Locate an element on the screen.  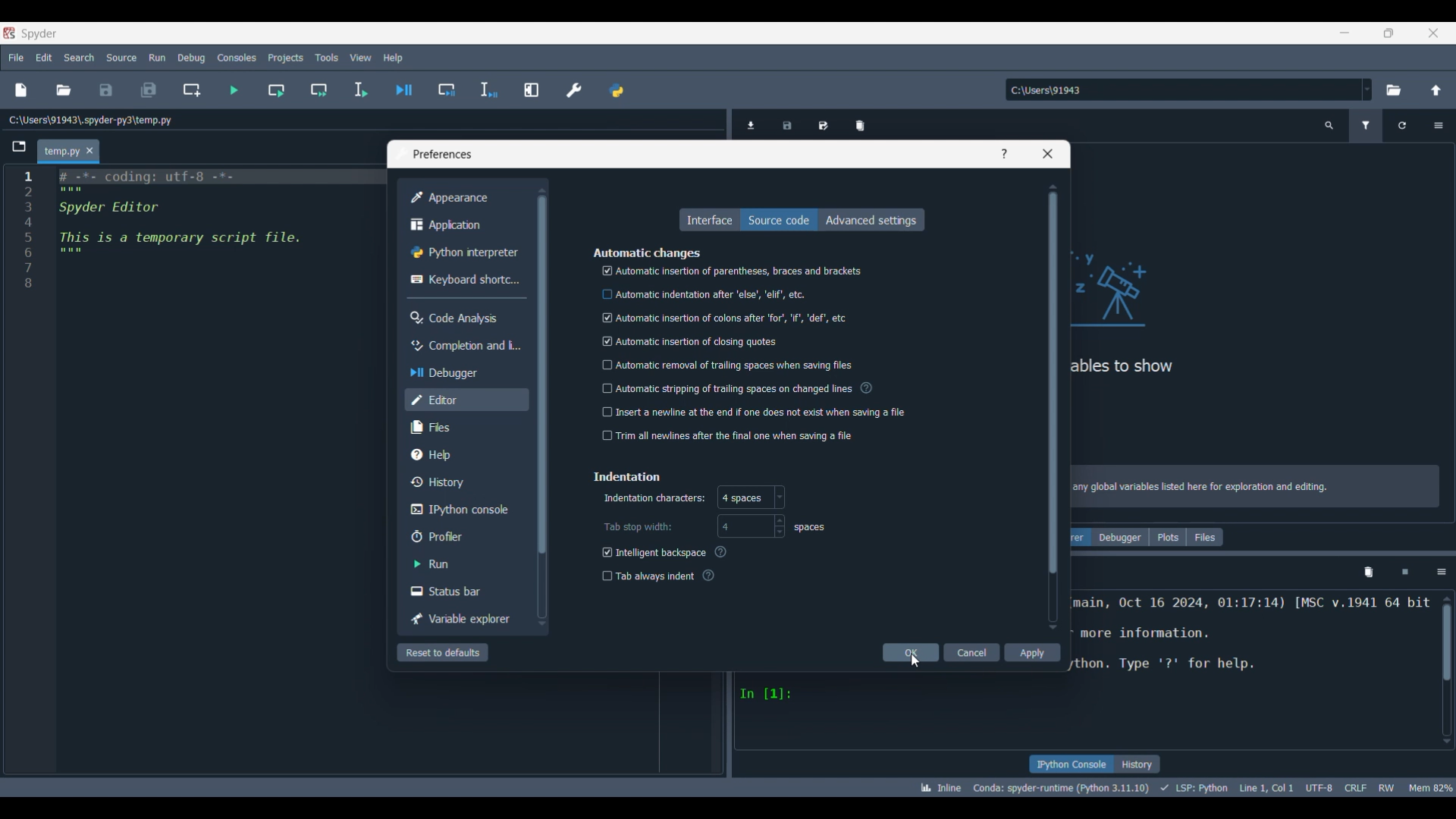
Projects menu is located at coordinates (286, 58).